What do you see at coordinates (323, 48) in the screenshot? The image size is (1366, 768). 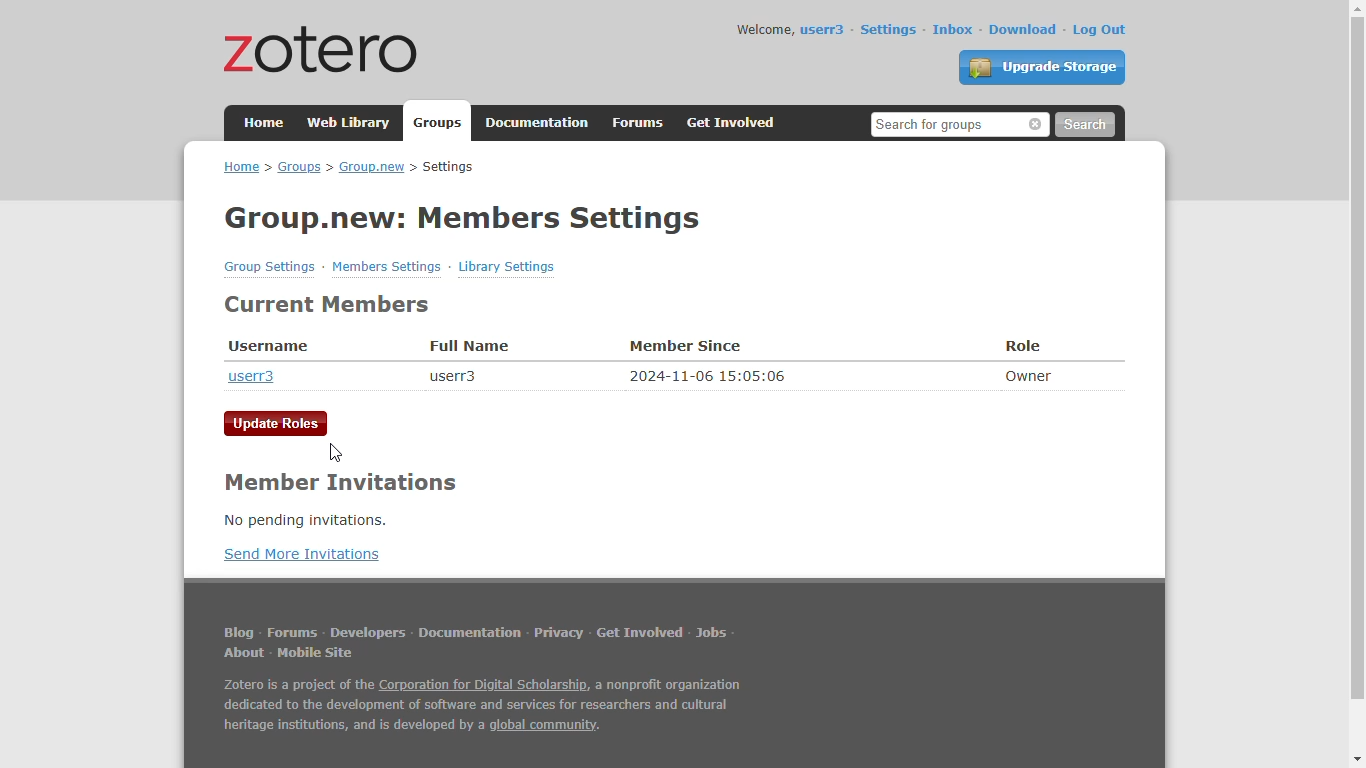 I see `zotero` at bounding box center [323, 48].